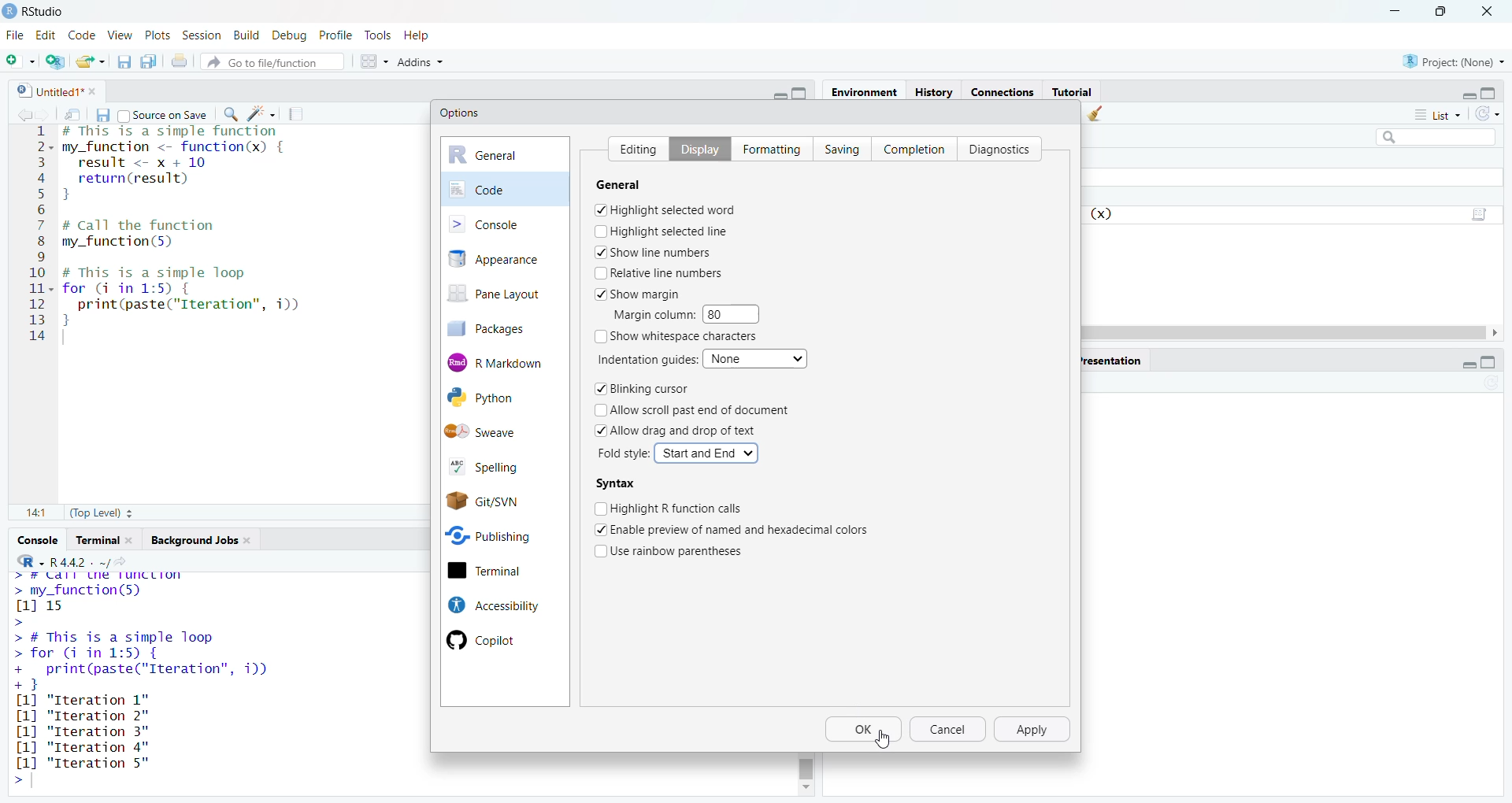 The width and height of the screenshot is (1512, 803). Describe the element at coordinates (807, 766) in the screenshot. I see `scrollbar` at that location.